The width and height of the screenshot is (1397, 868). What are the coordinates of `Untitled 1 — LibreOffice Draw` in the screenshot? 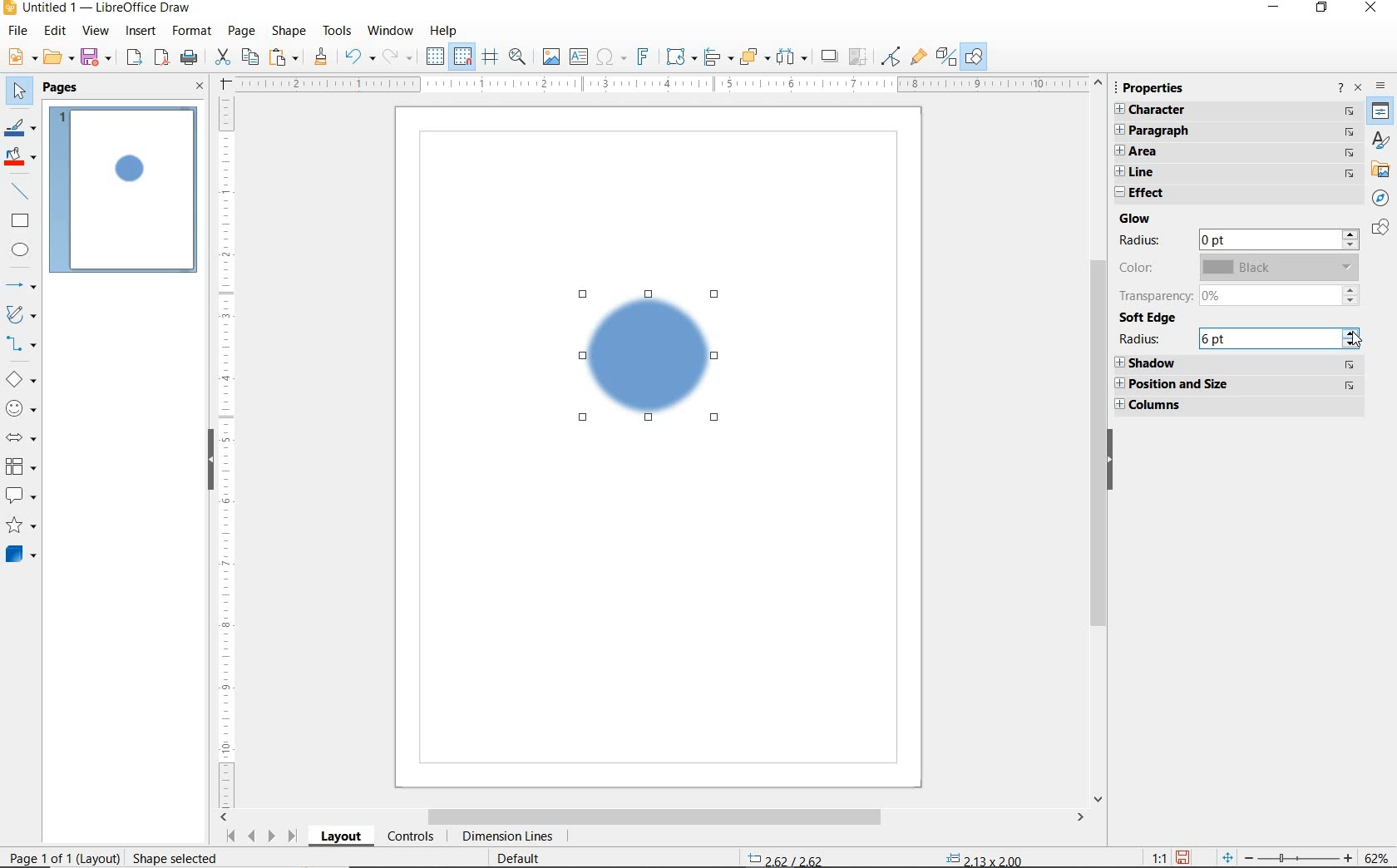 It's located at (96, 9).